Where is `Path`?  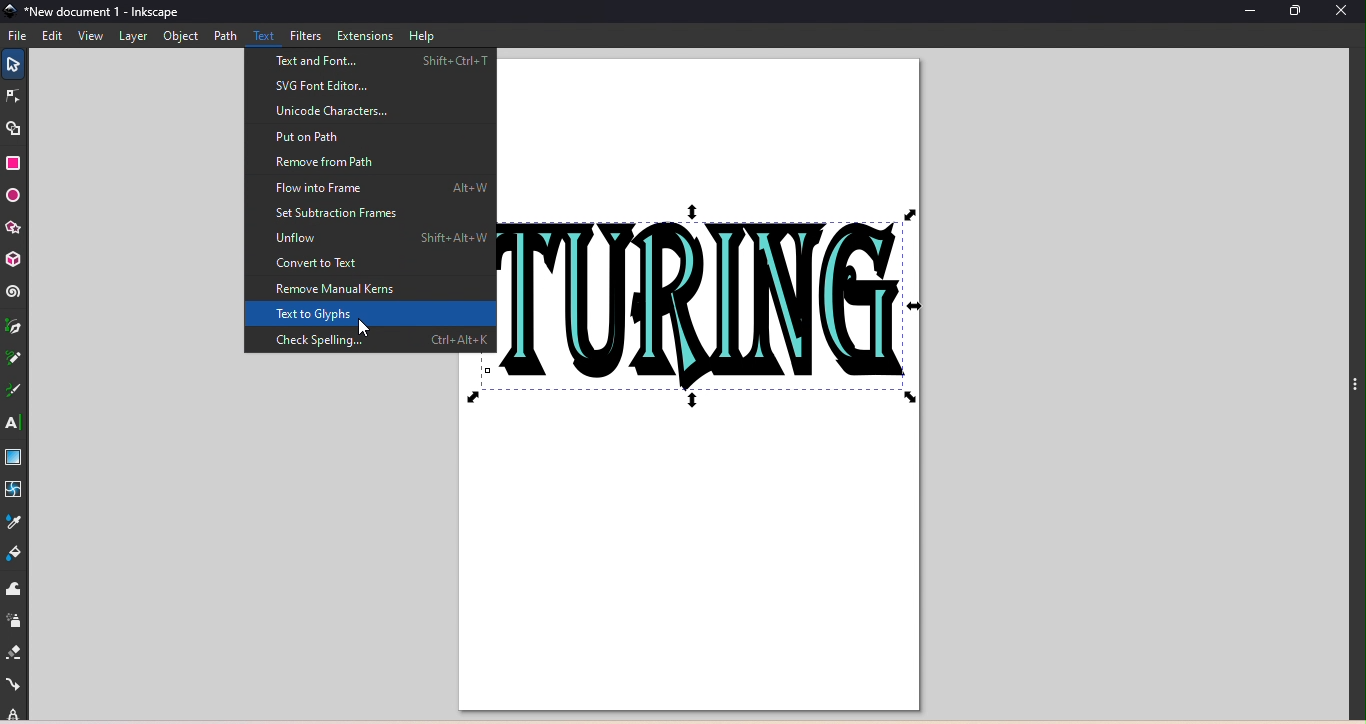 Path is located at coordinates (224, 36).